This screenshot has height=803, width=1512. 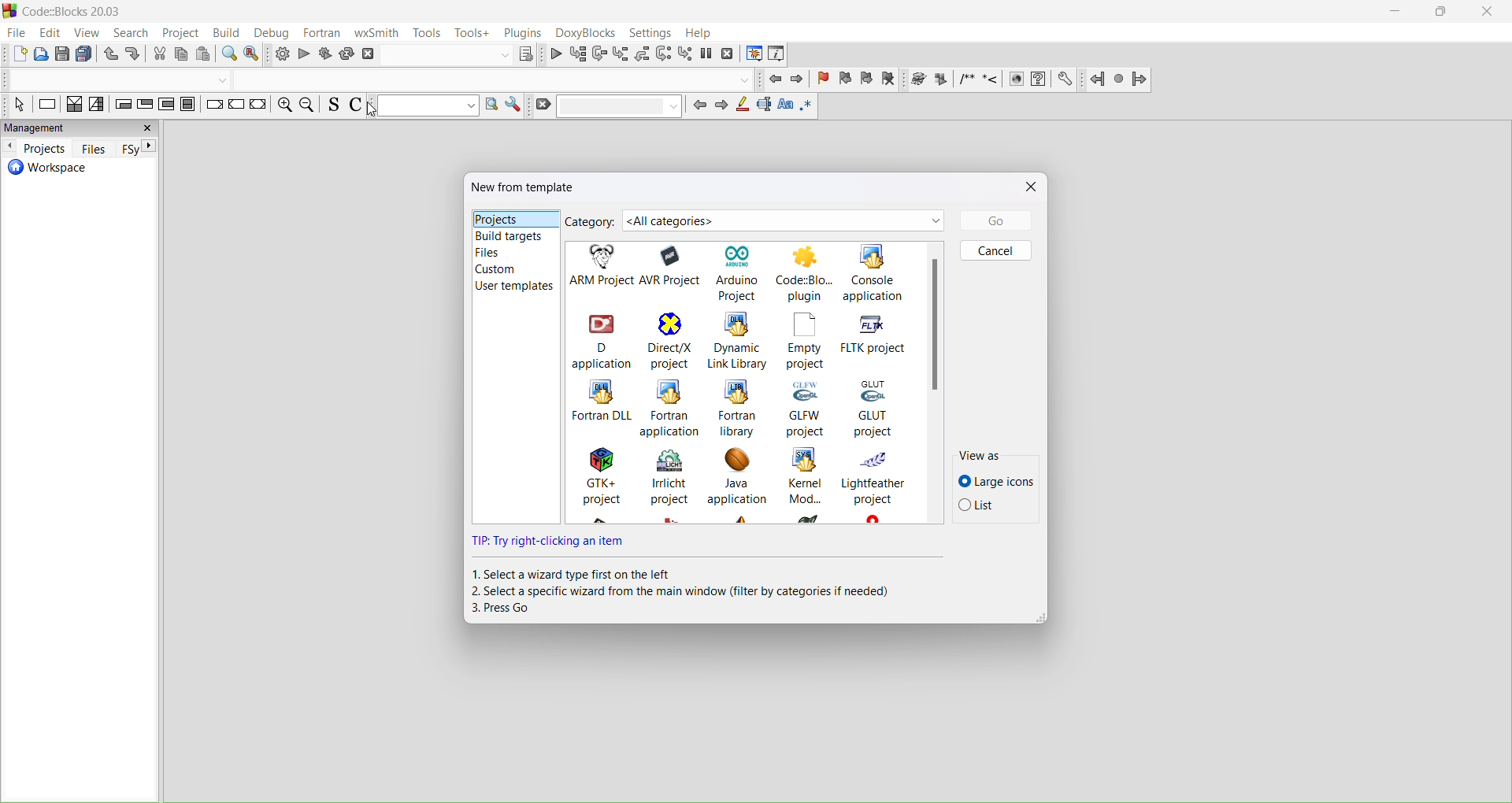 What do you see at coordinates (867, 80) in the screenshot?
I see `next bookmark` at bounding box center [867, 80].